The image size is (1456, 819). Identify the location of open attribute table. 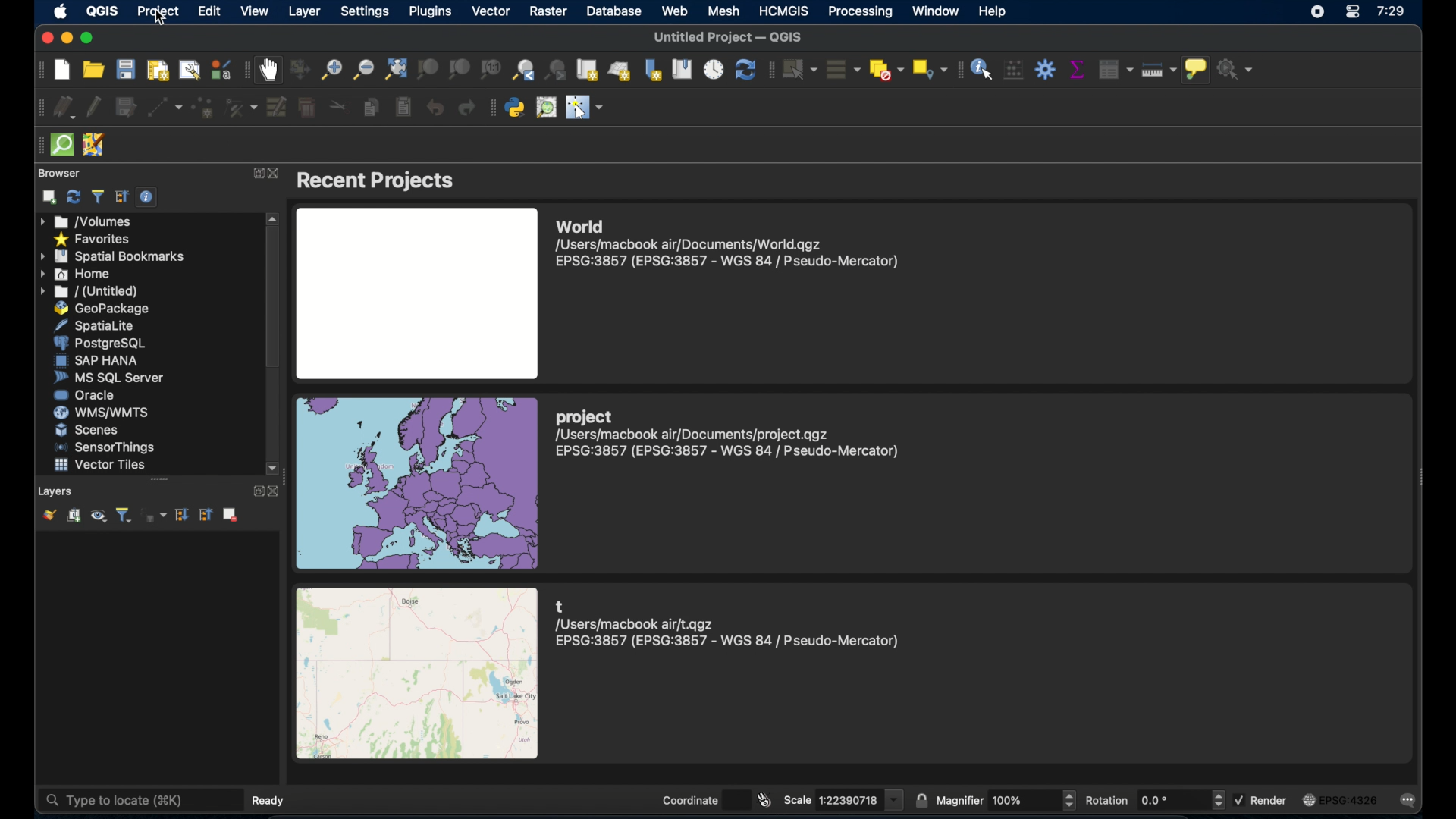
(1116, 67).